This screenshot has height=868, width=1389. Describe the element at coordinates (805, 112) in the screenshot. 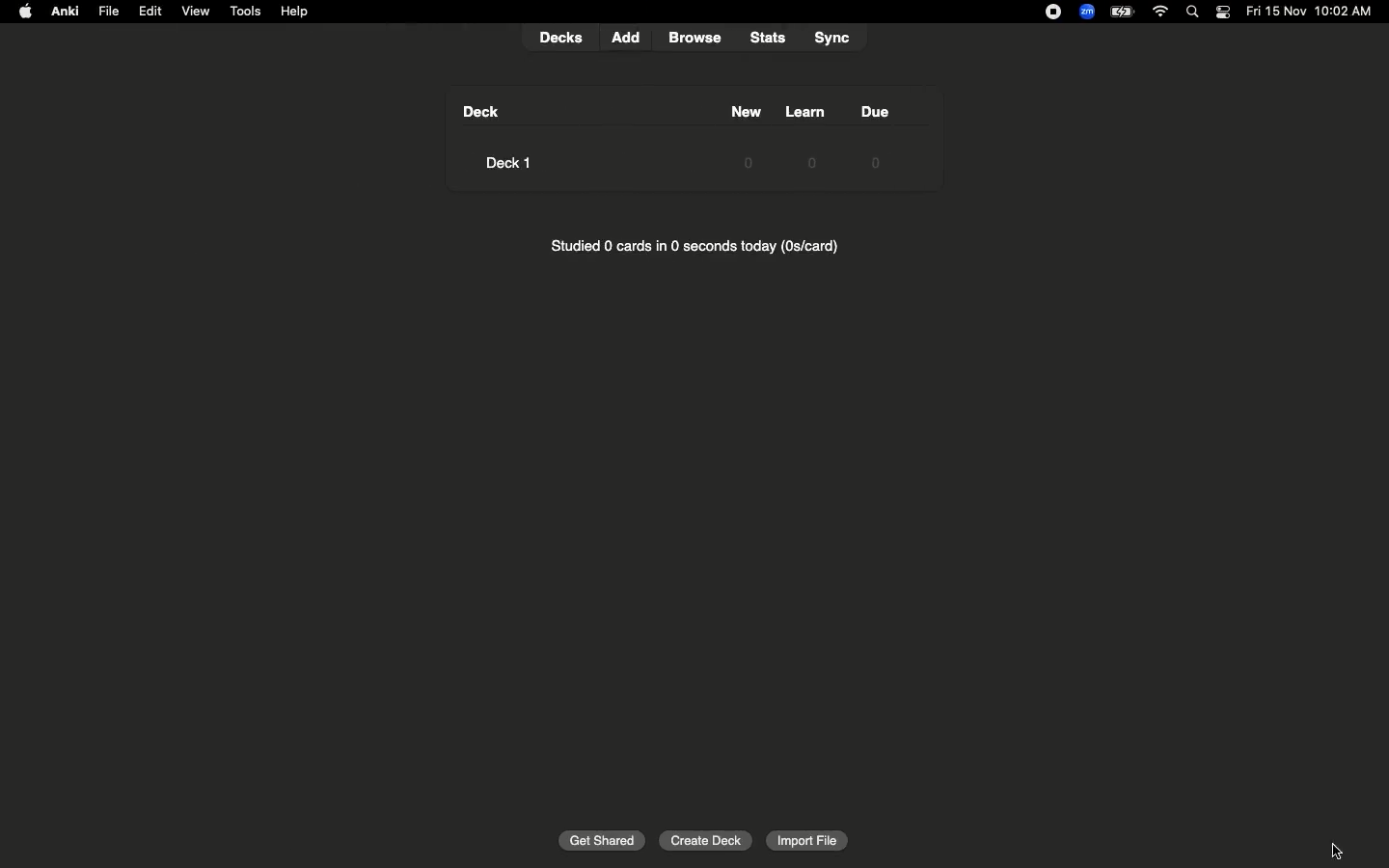

I see `Learn` at that location.